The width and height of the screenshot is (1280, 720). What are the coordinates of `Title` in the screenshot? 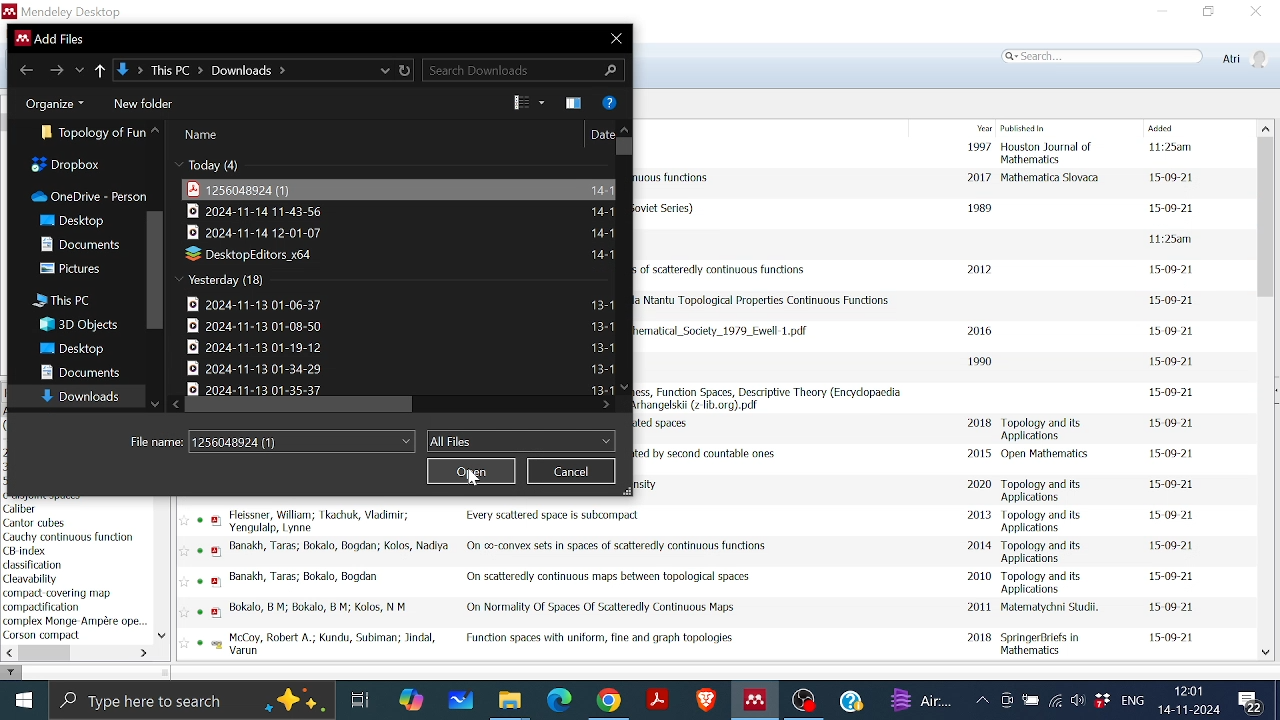 It's located at (556, 516).